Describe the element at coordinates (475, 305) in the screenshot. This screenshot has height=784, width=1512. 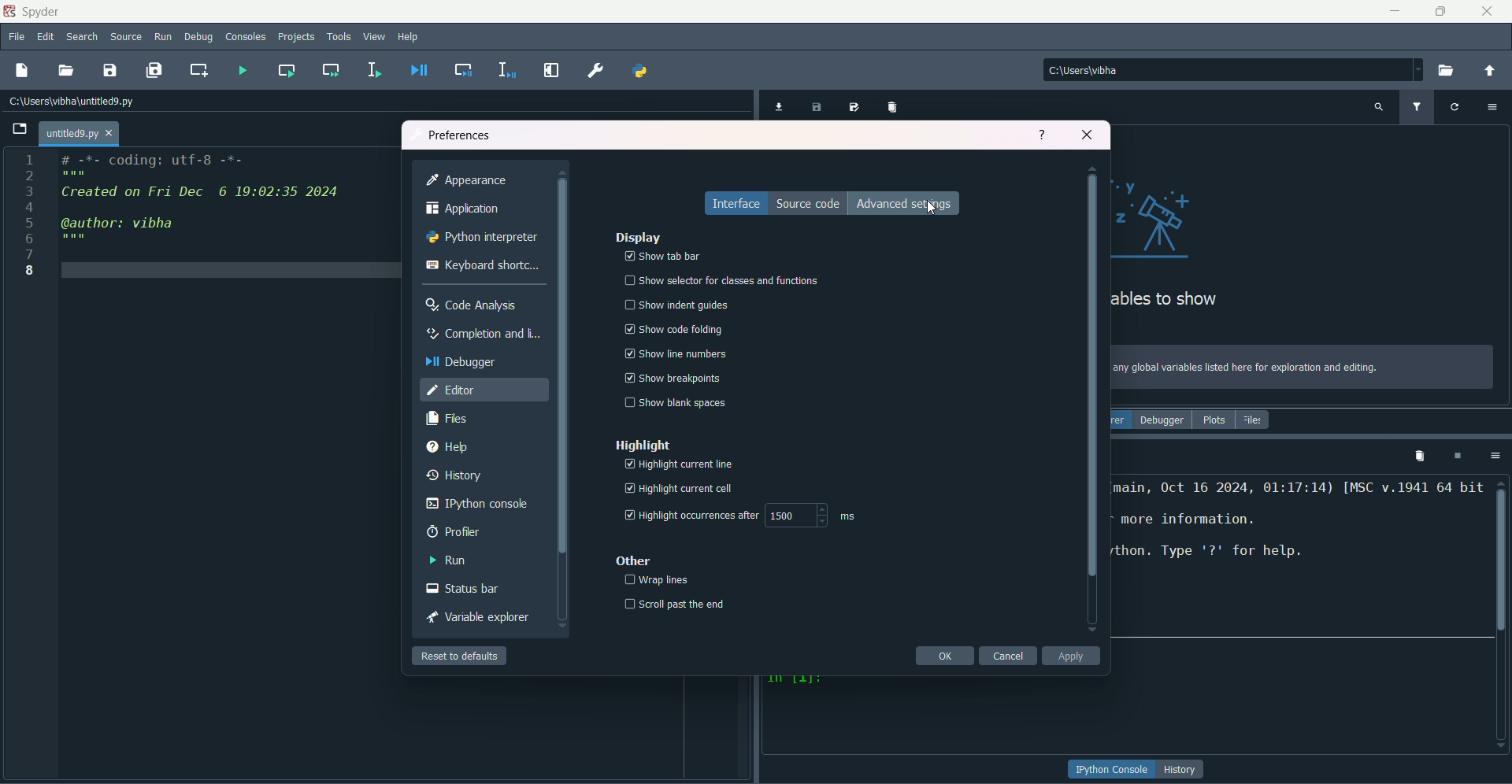
I see `code analysis` at that location.